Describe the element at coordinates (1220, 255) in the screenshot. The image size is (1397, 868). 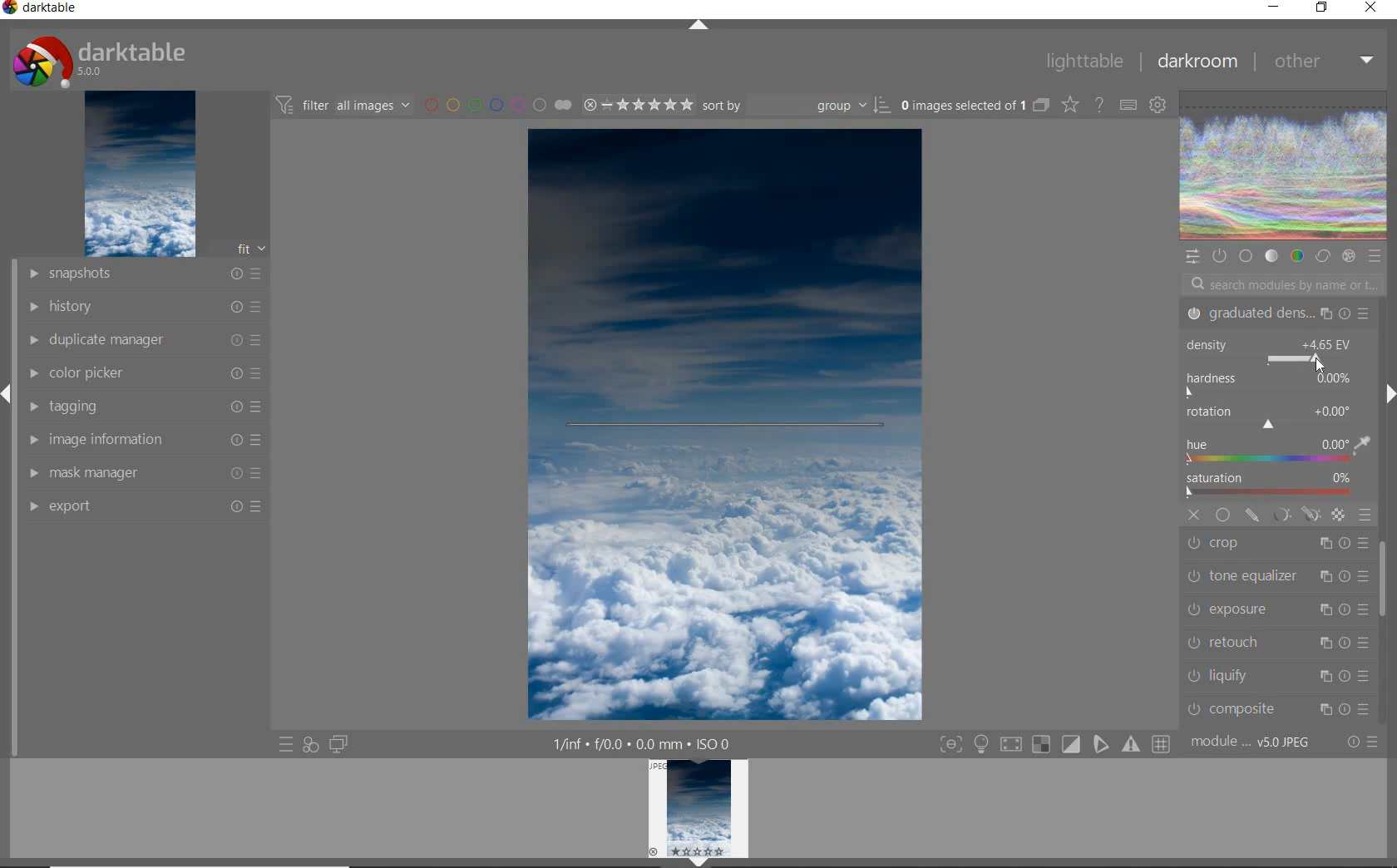
I see `SHOW ONLY ACTIVE MODULES` at that location.